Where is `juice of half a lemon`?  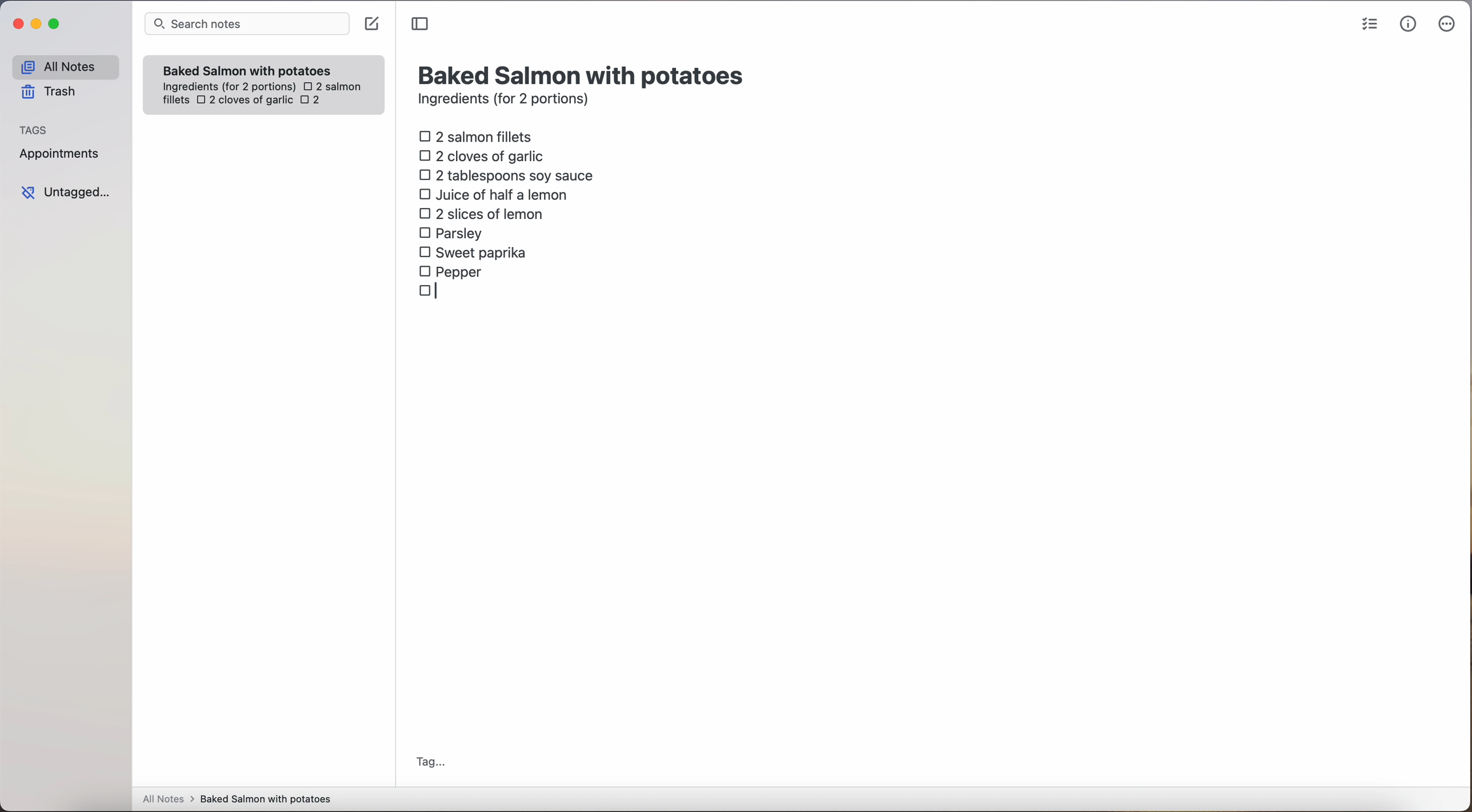
juice of half a lemon is located at coordinates (497, 194).